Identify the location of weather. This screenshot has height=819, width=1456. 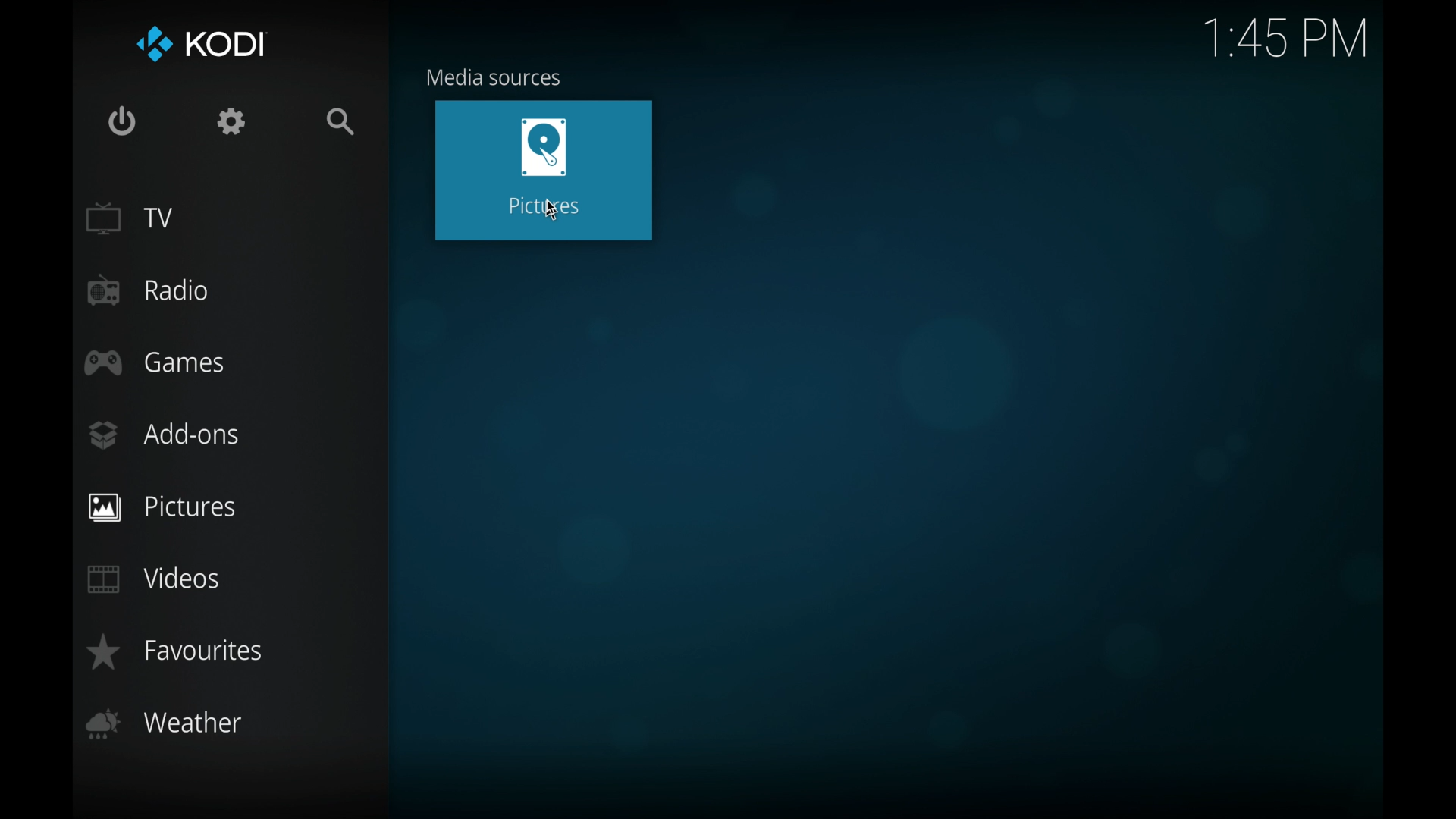
(165, 723).